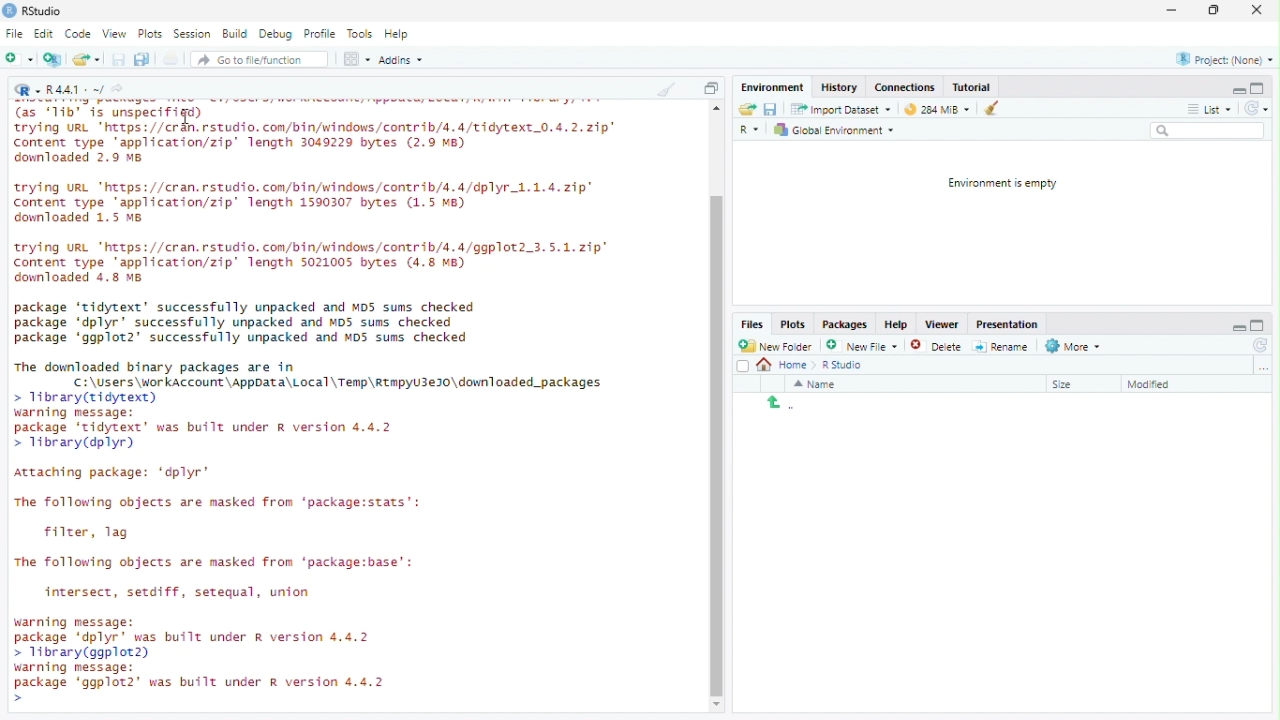 The image size is (1280, 720). Describe the element at coordinates (753, 324) in the screenshot. I see `Files` at that location.